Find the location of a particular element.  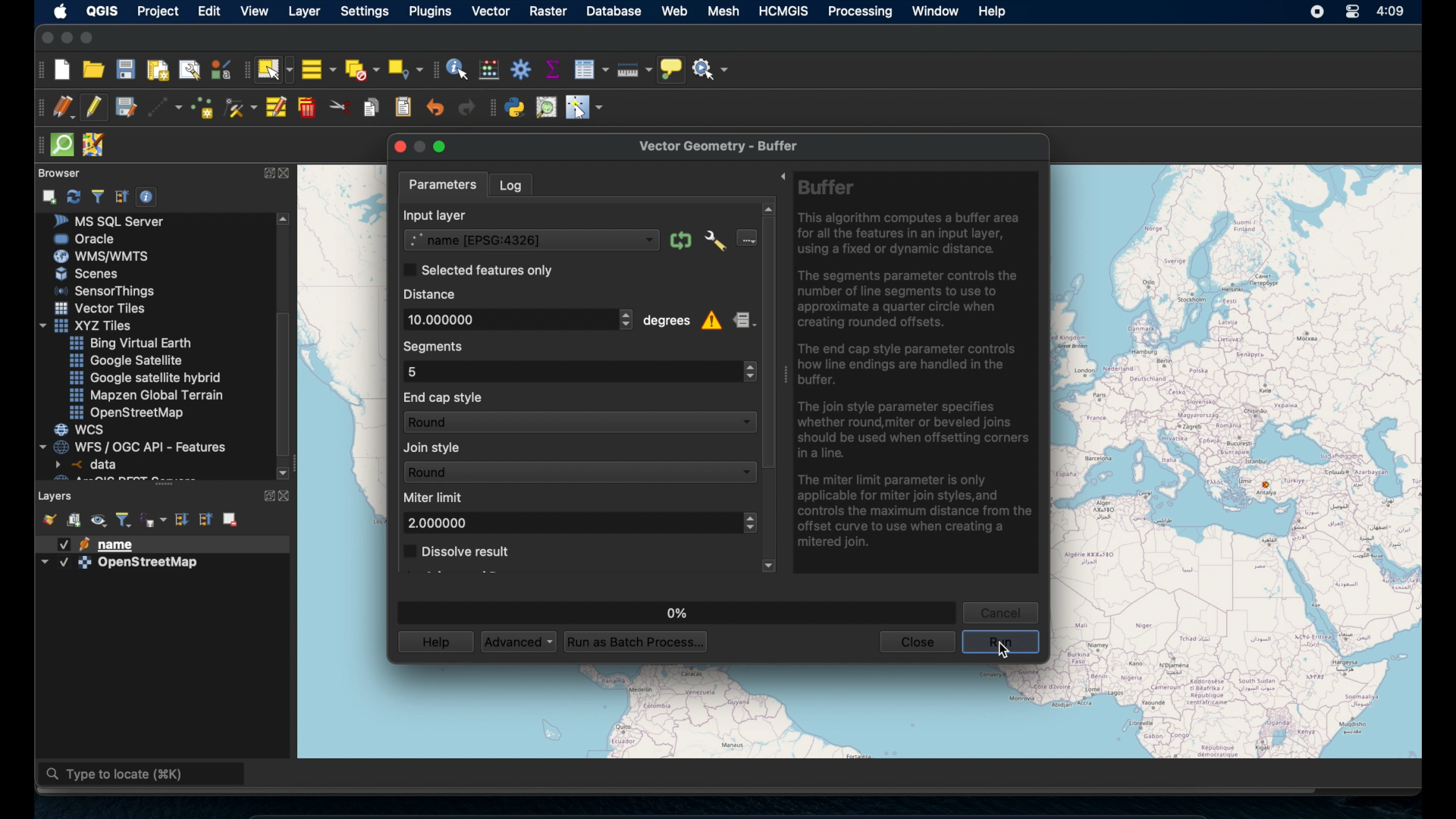

inactive minimize button is located at coordinates (421, 146).